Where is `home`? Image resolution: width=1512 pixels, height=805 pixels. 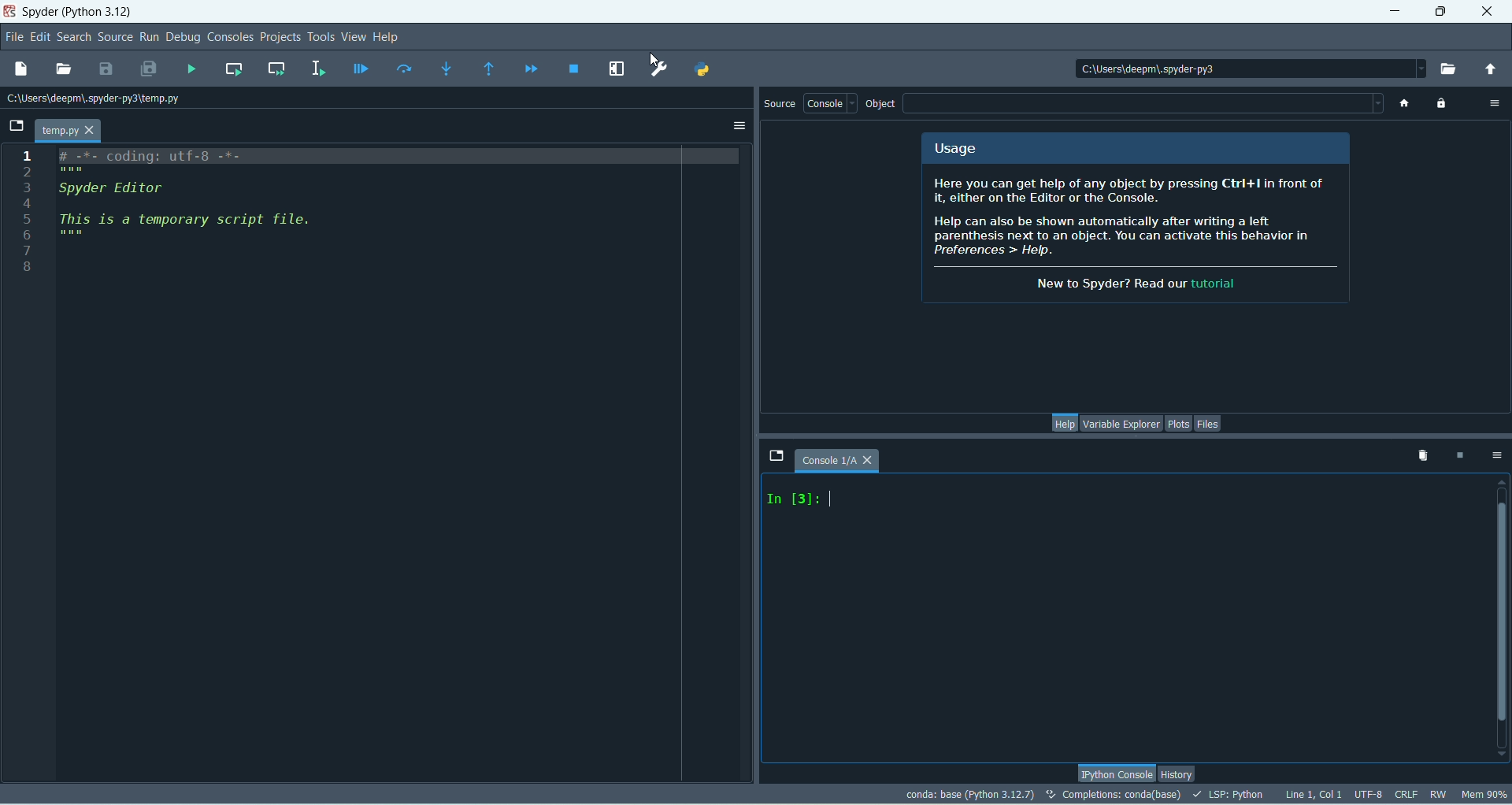 home is located at coordinates (1403, 104).